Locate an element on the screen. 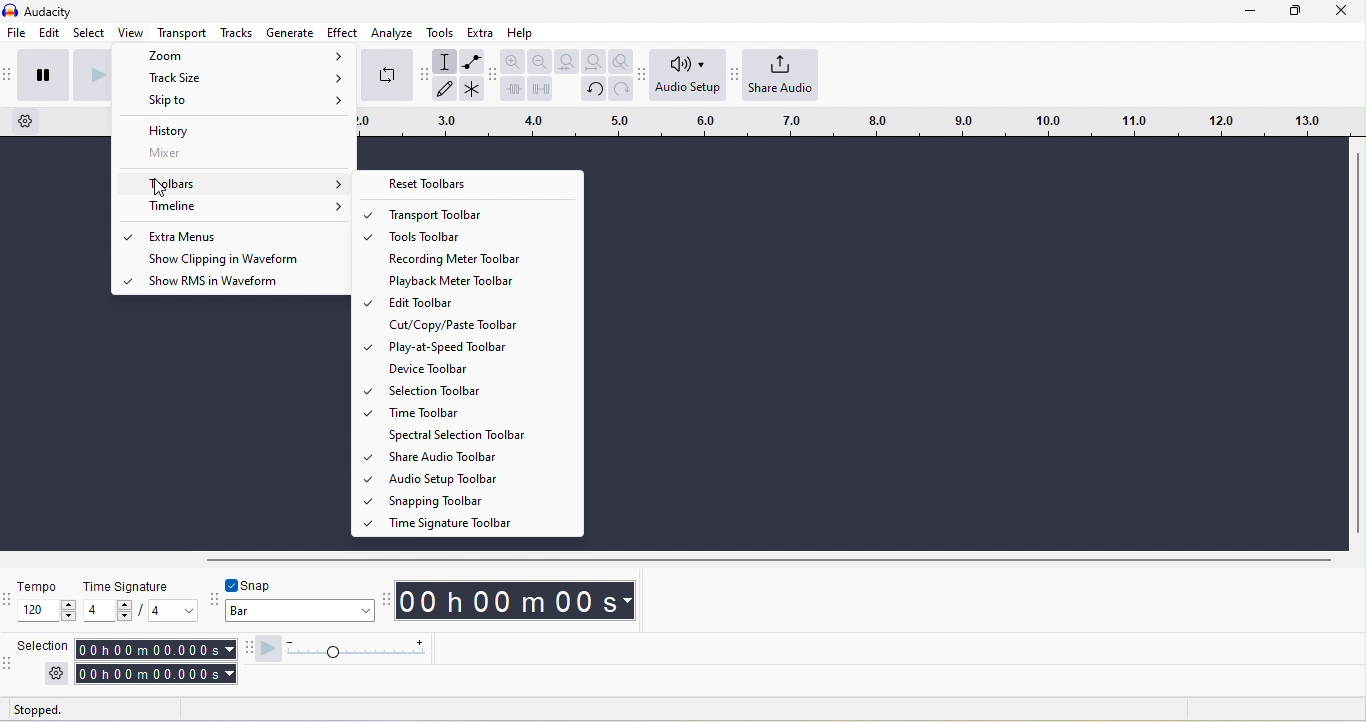 The image size is (1366, 722). Audio setup toolbar is located at coordinates (479, 478).